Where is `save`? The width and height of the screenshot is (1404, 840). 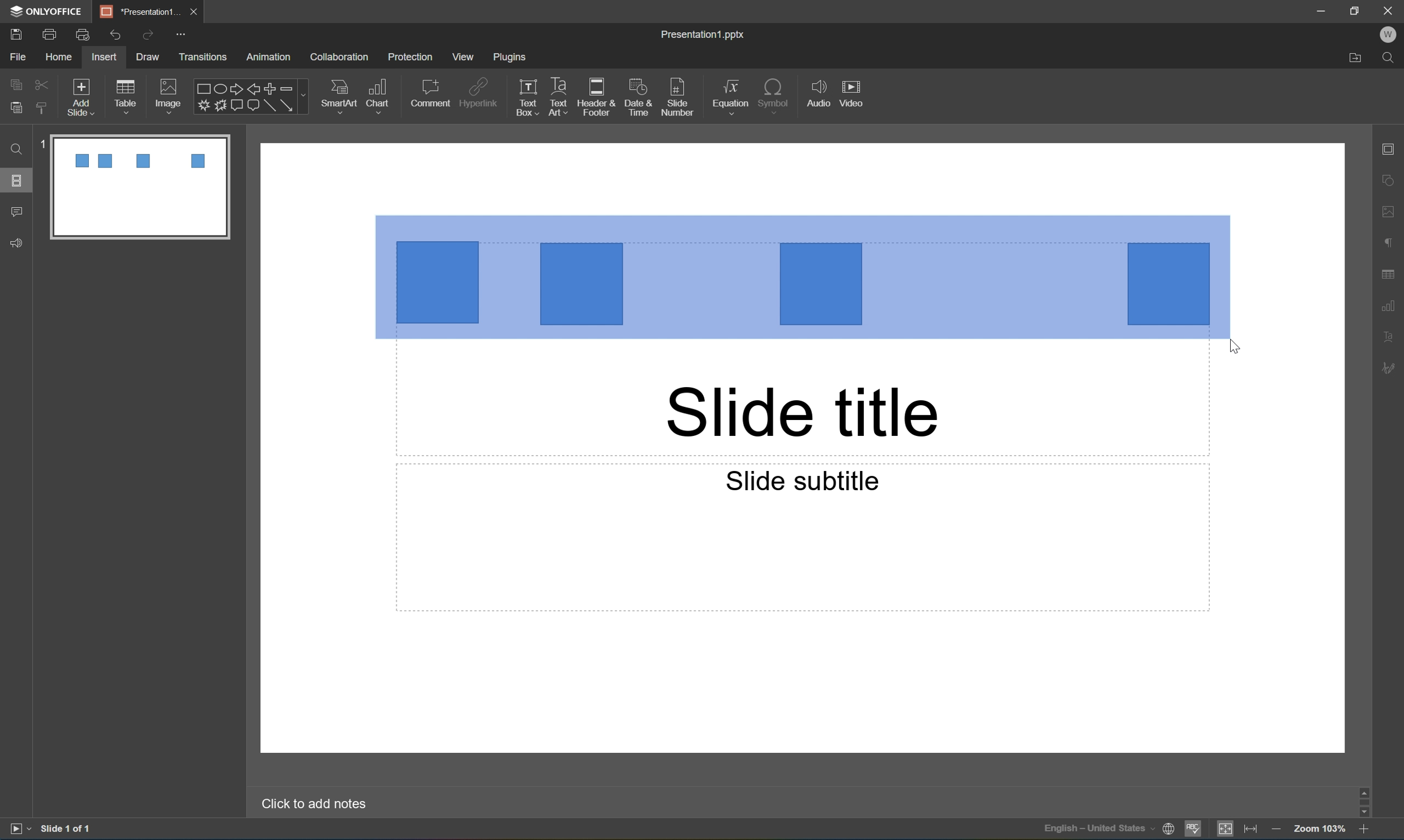
save is located at coordinates (14, 33).